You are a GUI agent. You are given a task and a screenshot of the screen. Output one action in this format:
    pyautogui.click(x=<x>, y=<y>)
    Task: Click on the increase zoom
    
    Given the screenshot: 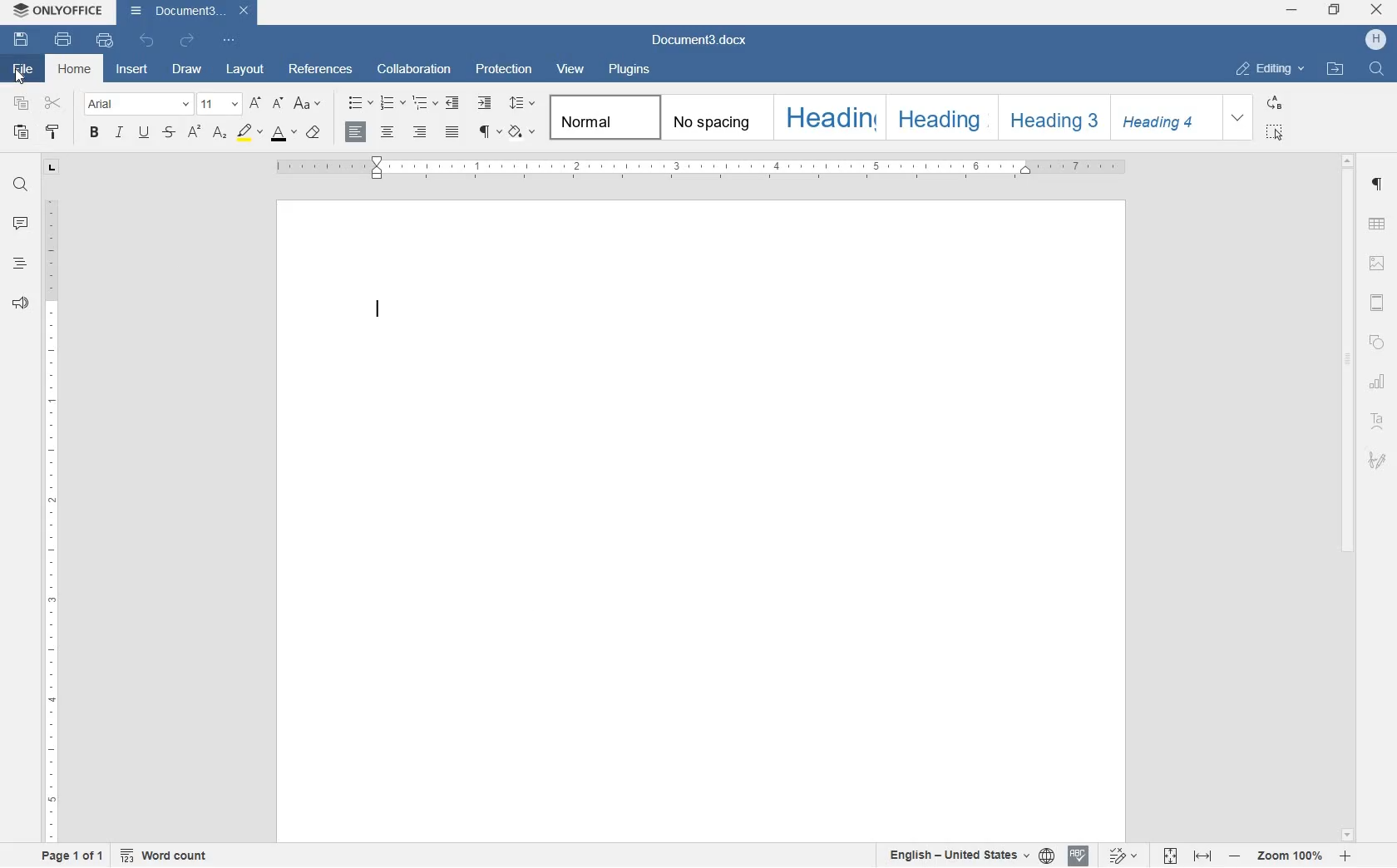 What is the action you would take?
    pyautogui.click(x=1349, y=854)
    